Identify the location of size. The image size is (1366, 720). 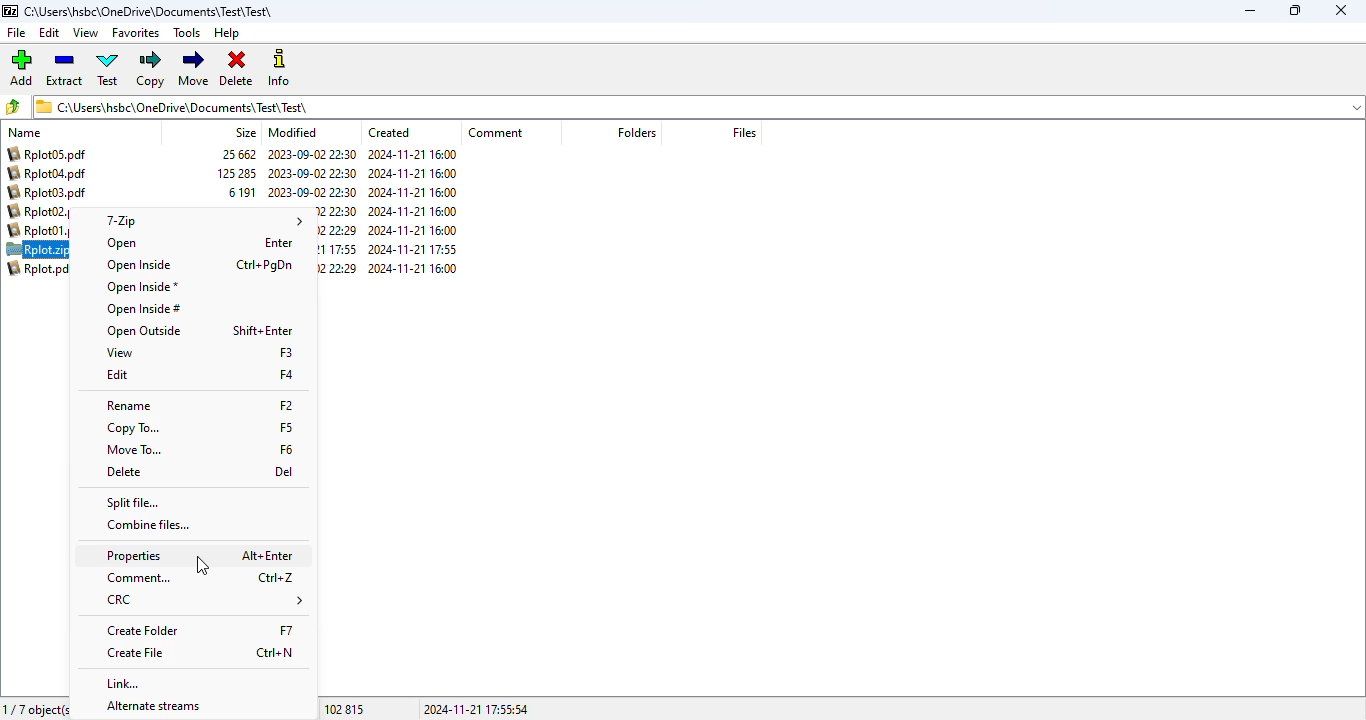
(236, 175).